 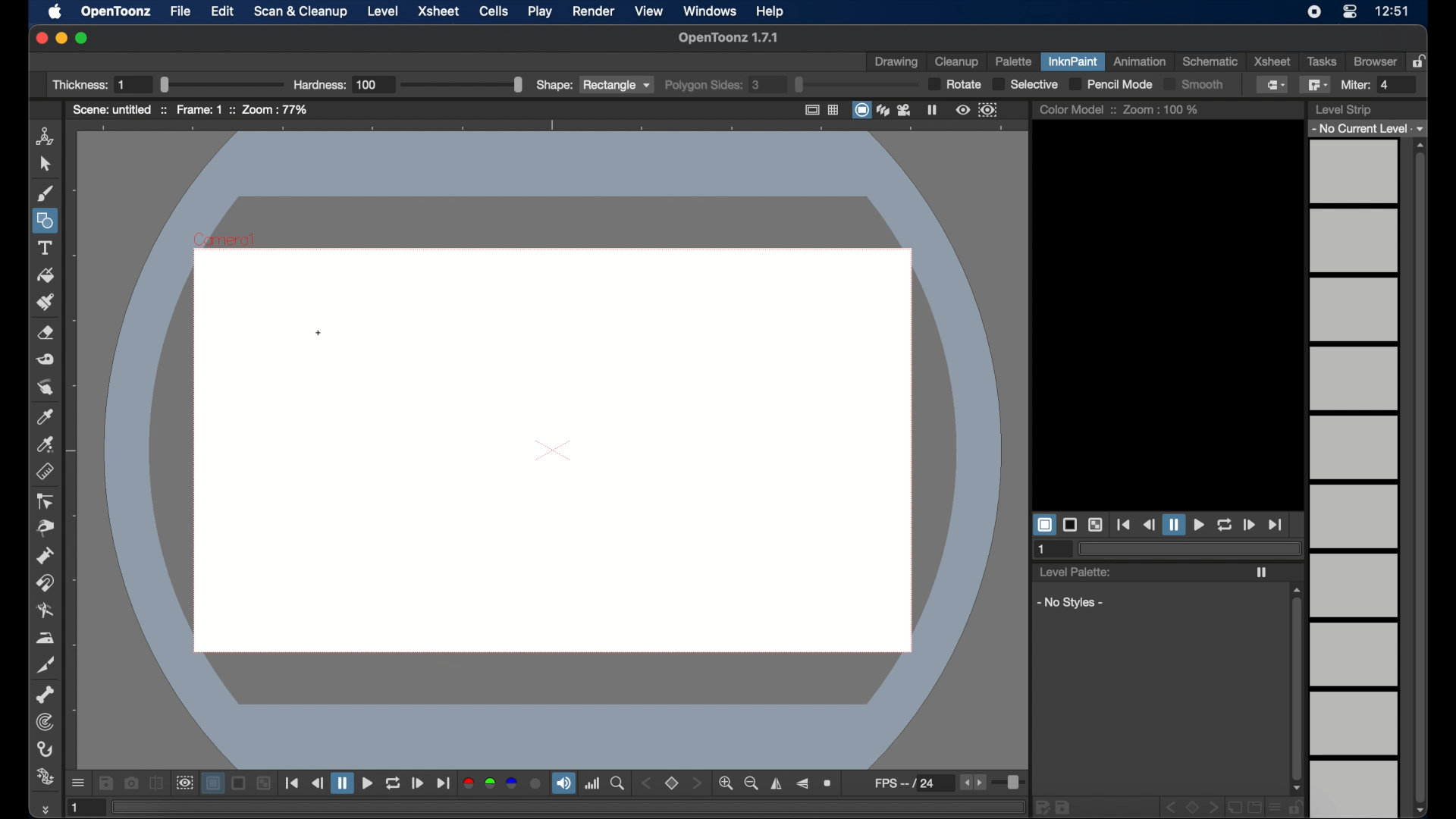 What do you see at coordinates (44, 809) in the screenshot?
I see `more` at bounding box center [44, 809].